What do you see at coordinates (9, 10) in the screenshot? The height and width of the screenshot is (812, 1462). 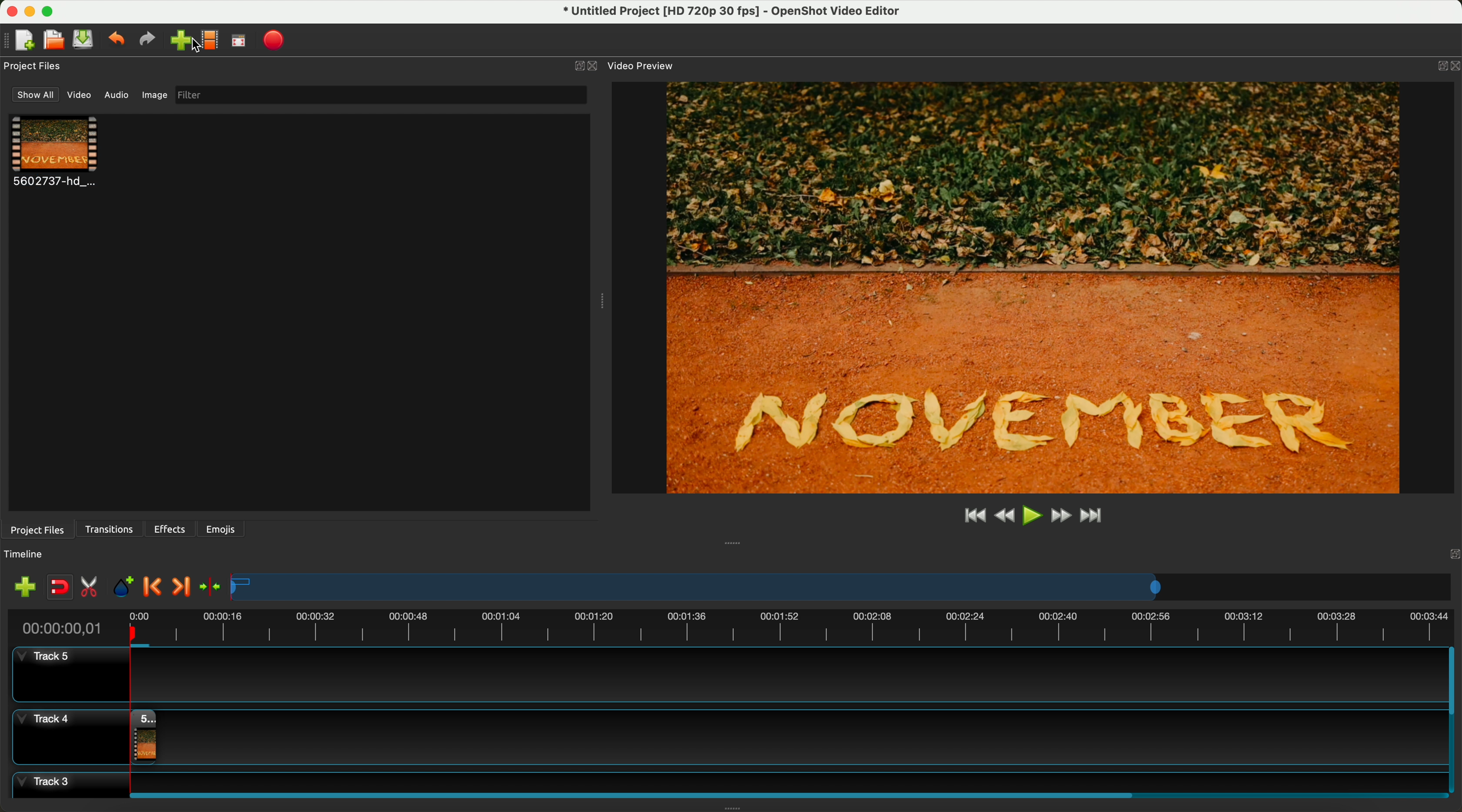 I see `close program` at bounding box center [9, 10].